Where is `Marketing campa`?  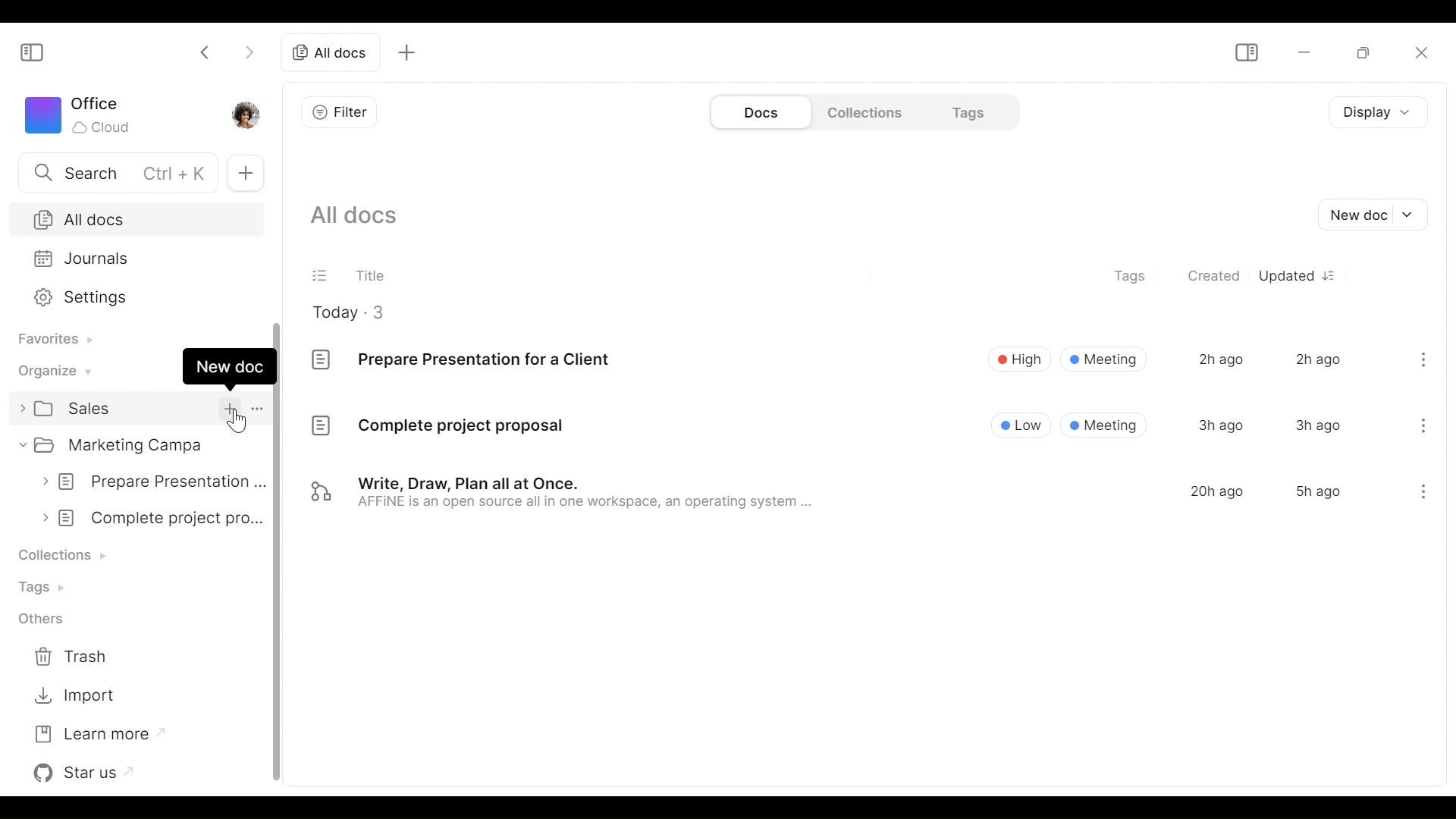 Marketing campa is located at coordinates (126, 447).